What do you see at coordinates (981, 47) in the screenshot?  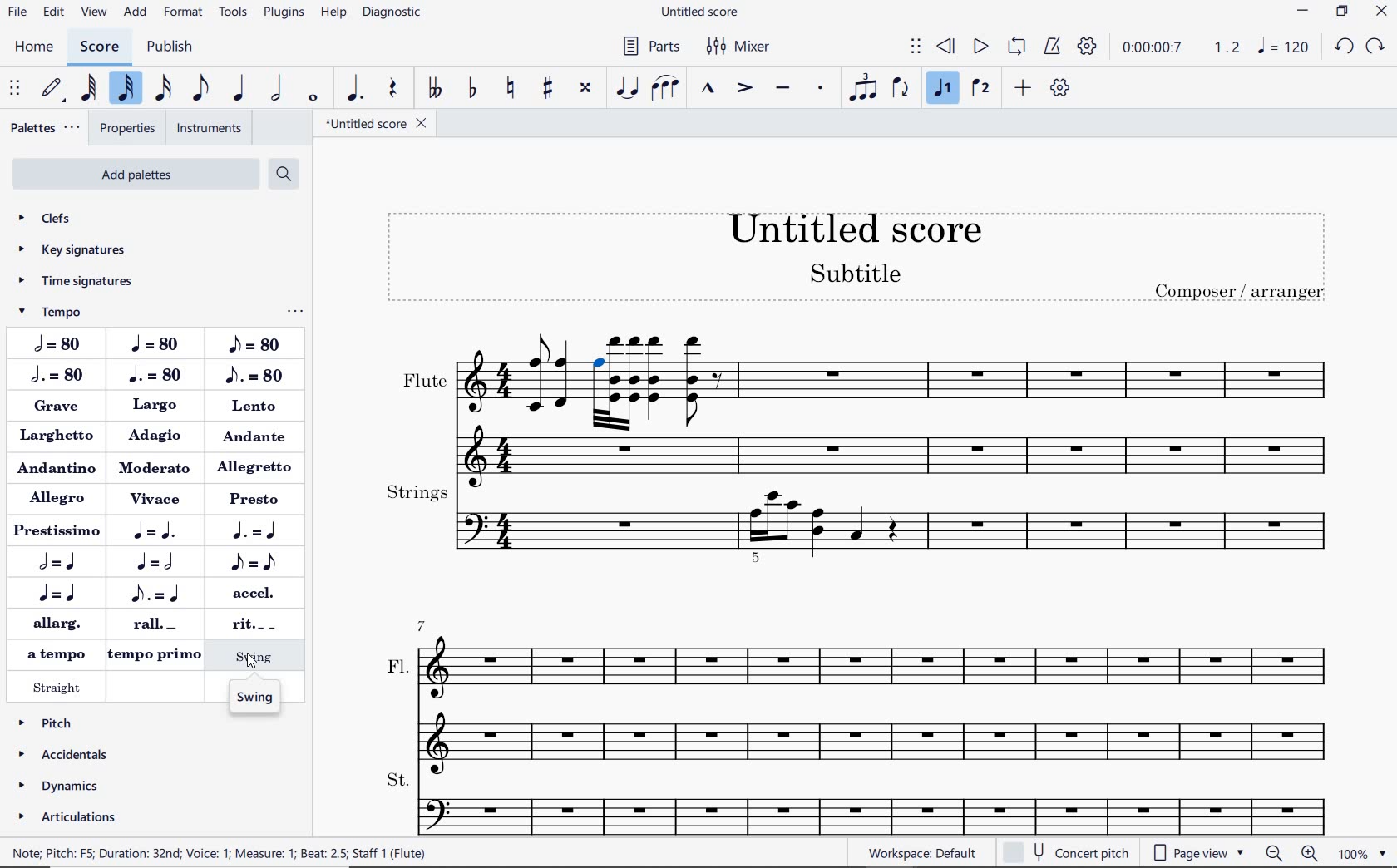 I see `PLAY` at bounding box center [981, 47].